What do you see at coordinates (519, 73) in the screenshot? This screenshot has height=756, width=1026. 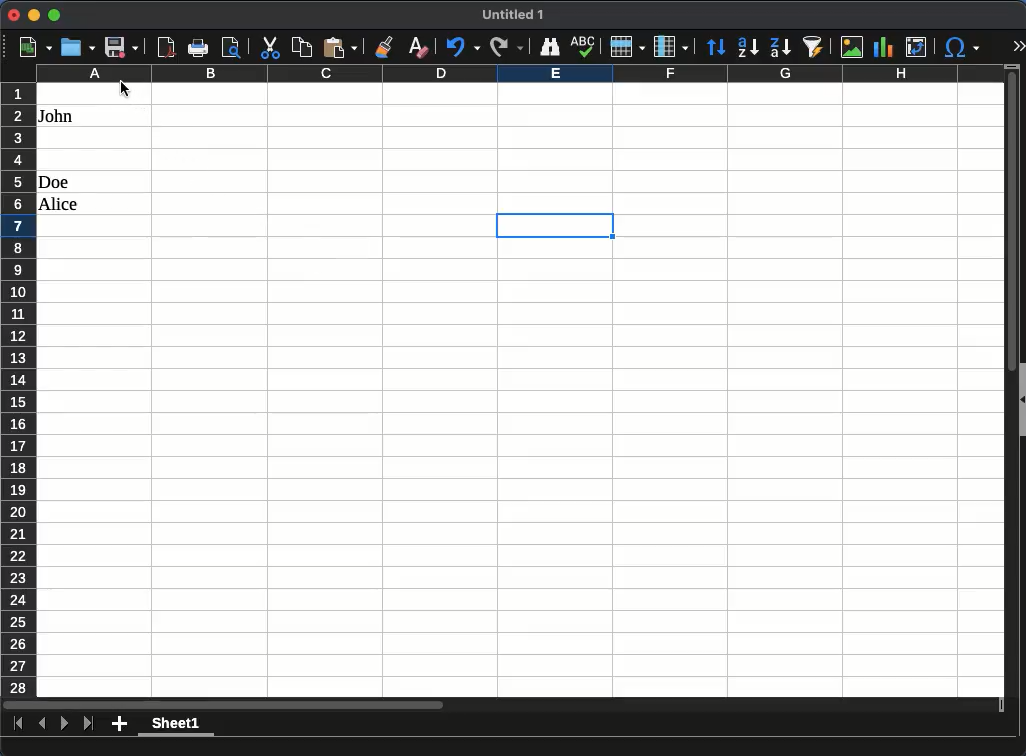 I see `column` at bounding box center [519, 73].